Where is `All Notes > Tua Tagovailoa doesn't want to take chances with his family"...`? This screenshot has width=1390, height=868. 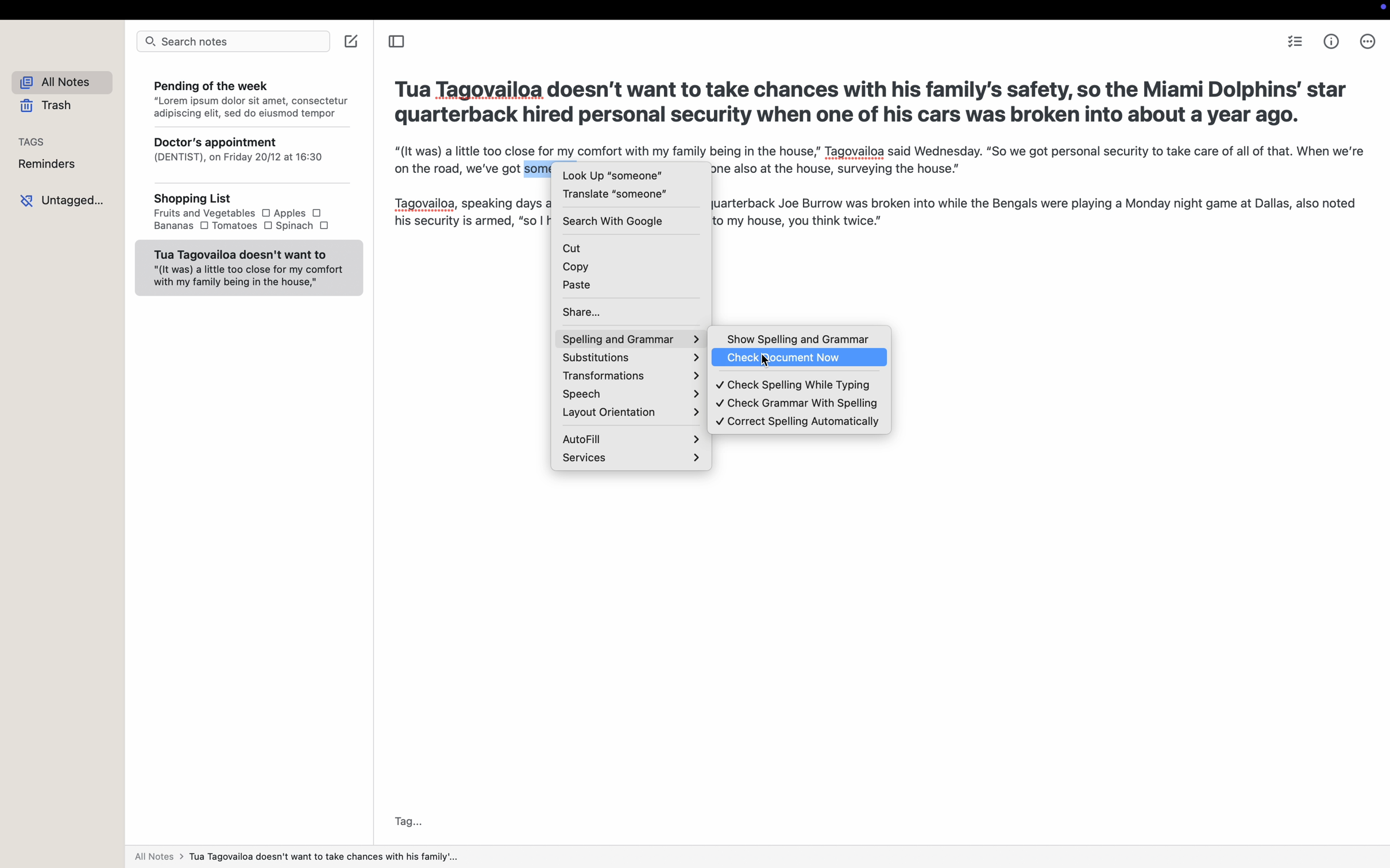 All Notes > Tua Tagovailoa doesn't want to take chances with his family"... is located at coordinates (303, 857).